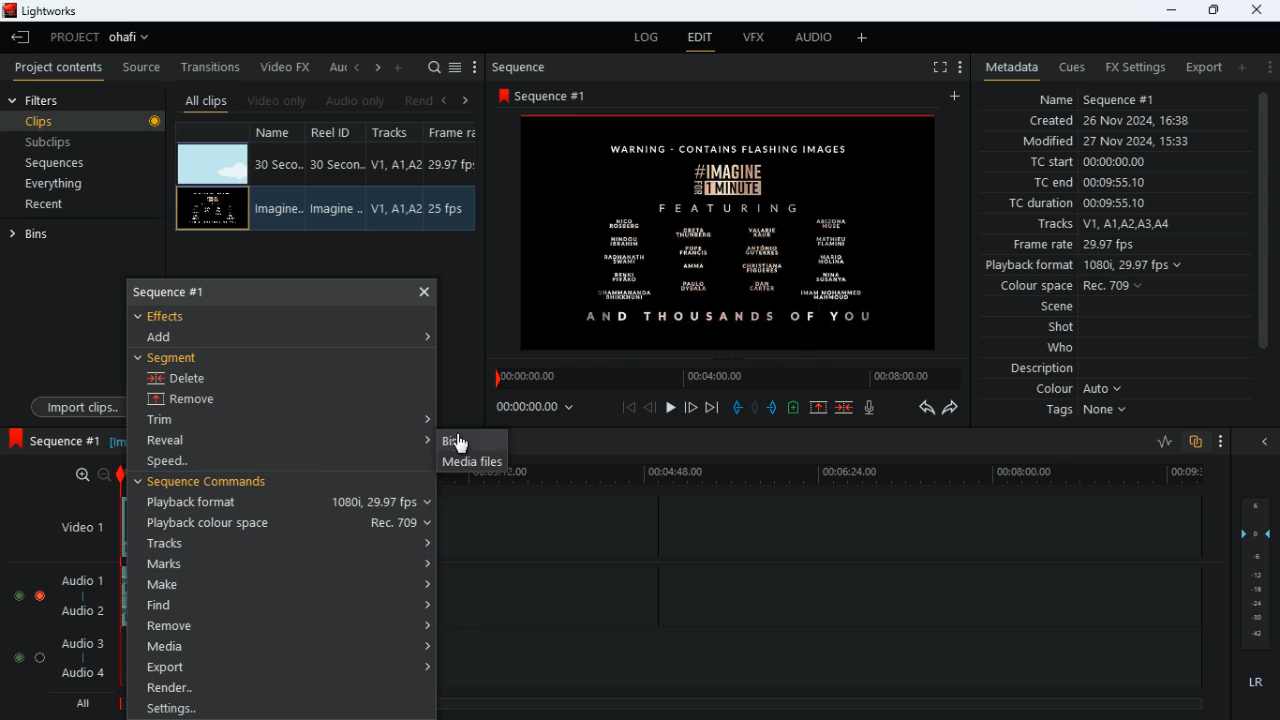  I want to click on cues, so click(1073, 68).